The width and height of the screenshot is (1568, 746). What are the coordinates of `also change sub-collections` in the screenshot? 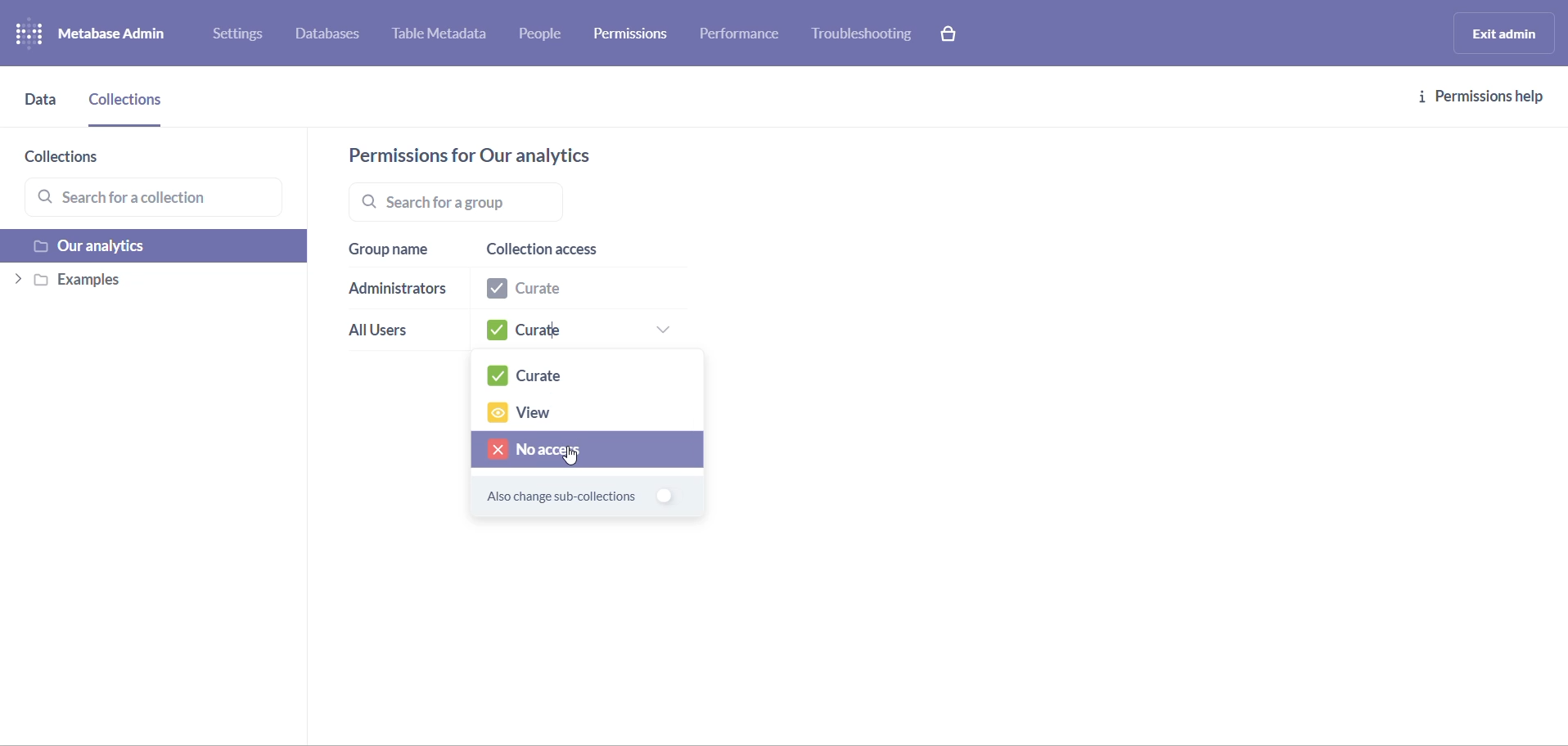 It's located at (571, 500).